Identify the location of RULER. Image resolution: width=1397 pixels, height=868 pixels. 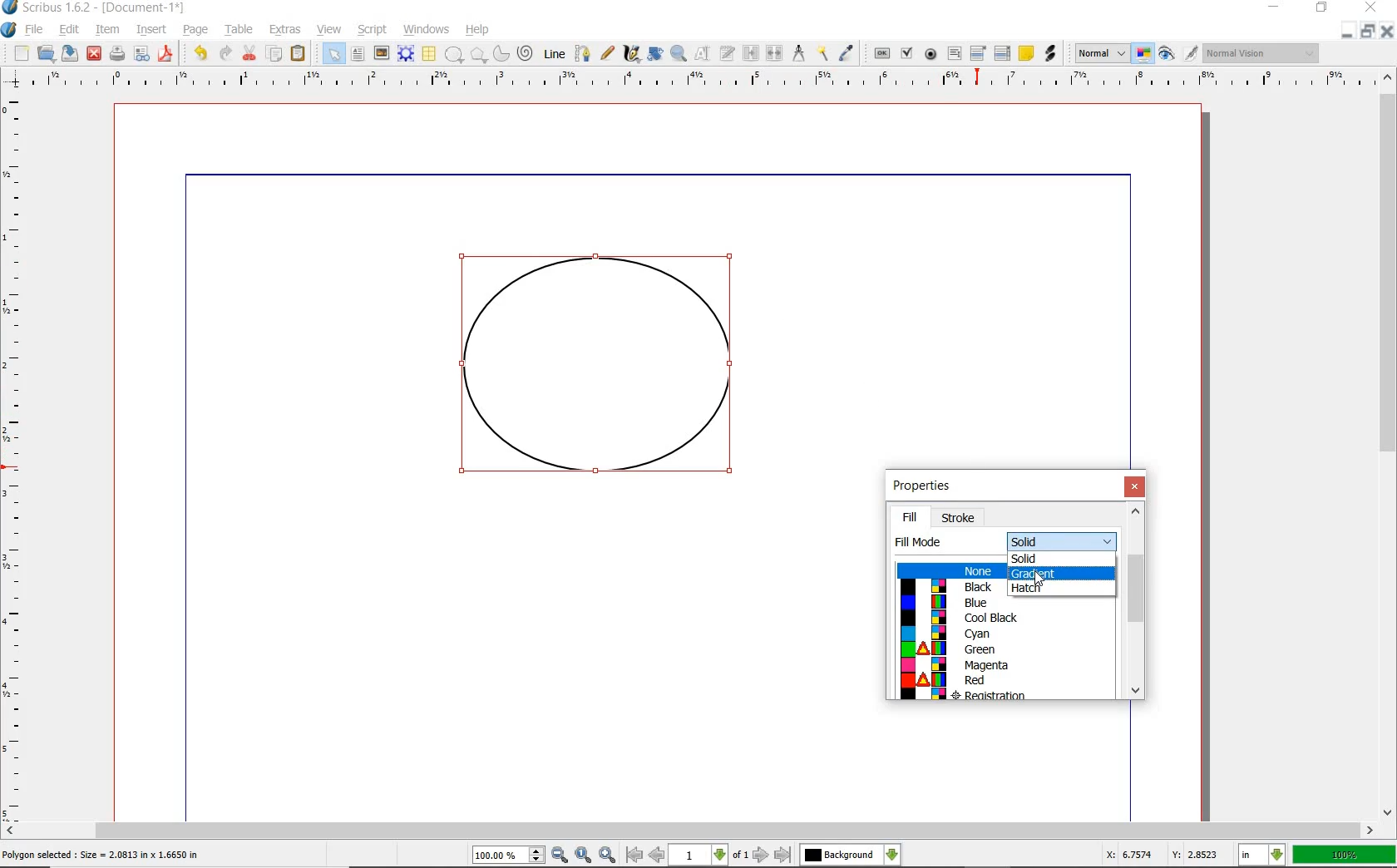
(694, 81).